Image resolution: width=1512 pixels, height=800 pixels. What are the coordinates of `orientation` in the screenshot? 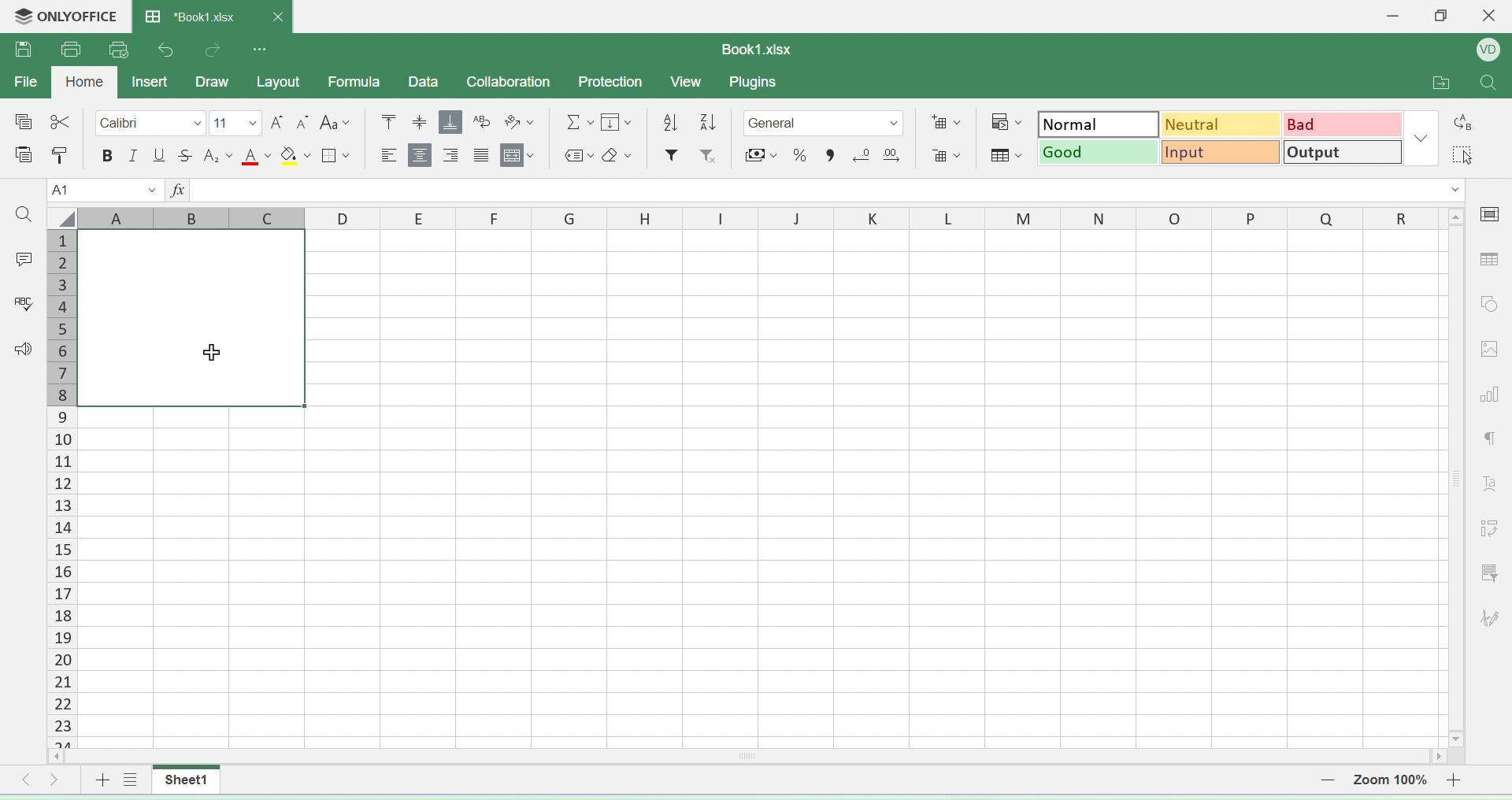 It's located at (520, 122).